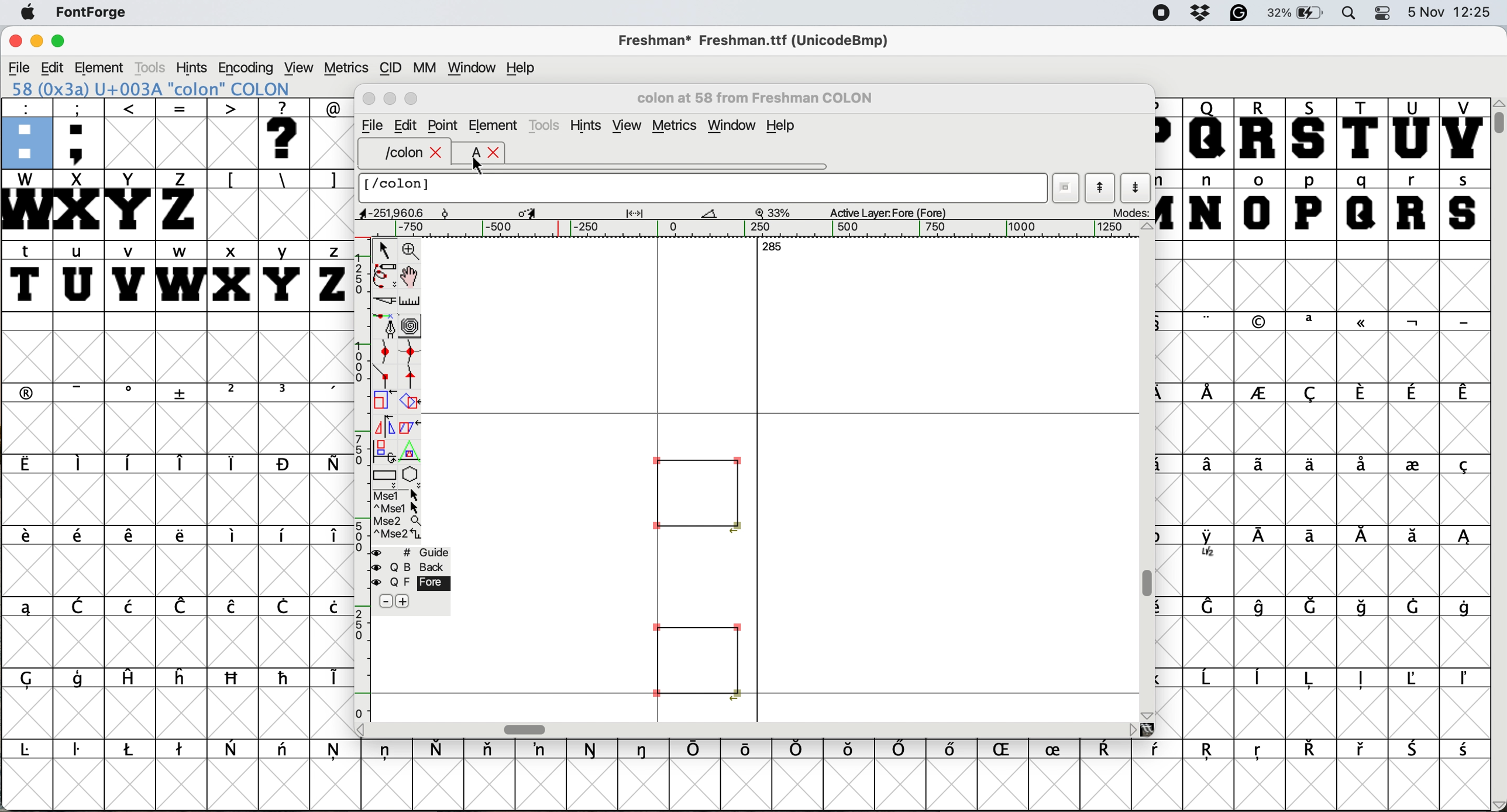 The height and width of the screenshot is (812, 1507). Describe the element at coordinates (234, 536) in the screenshot. I see `symbolo` at that location.